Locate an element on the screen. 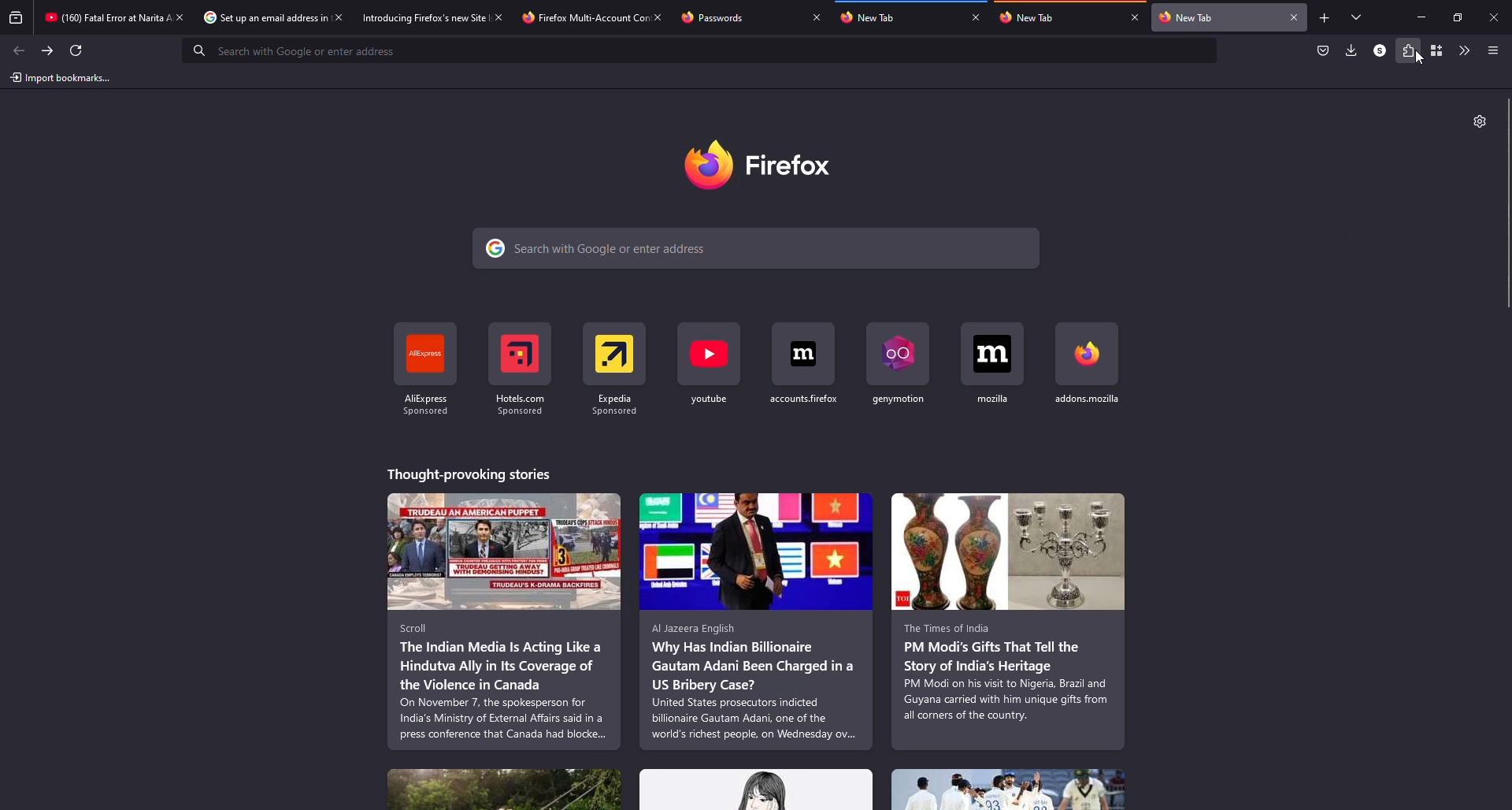  tab is located at coordinates (94, 17).